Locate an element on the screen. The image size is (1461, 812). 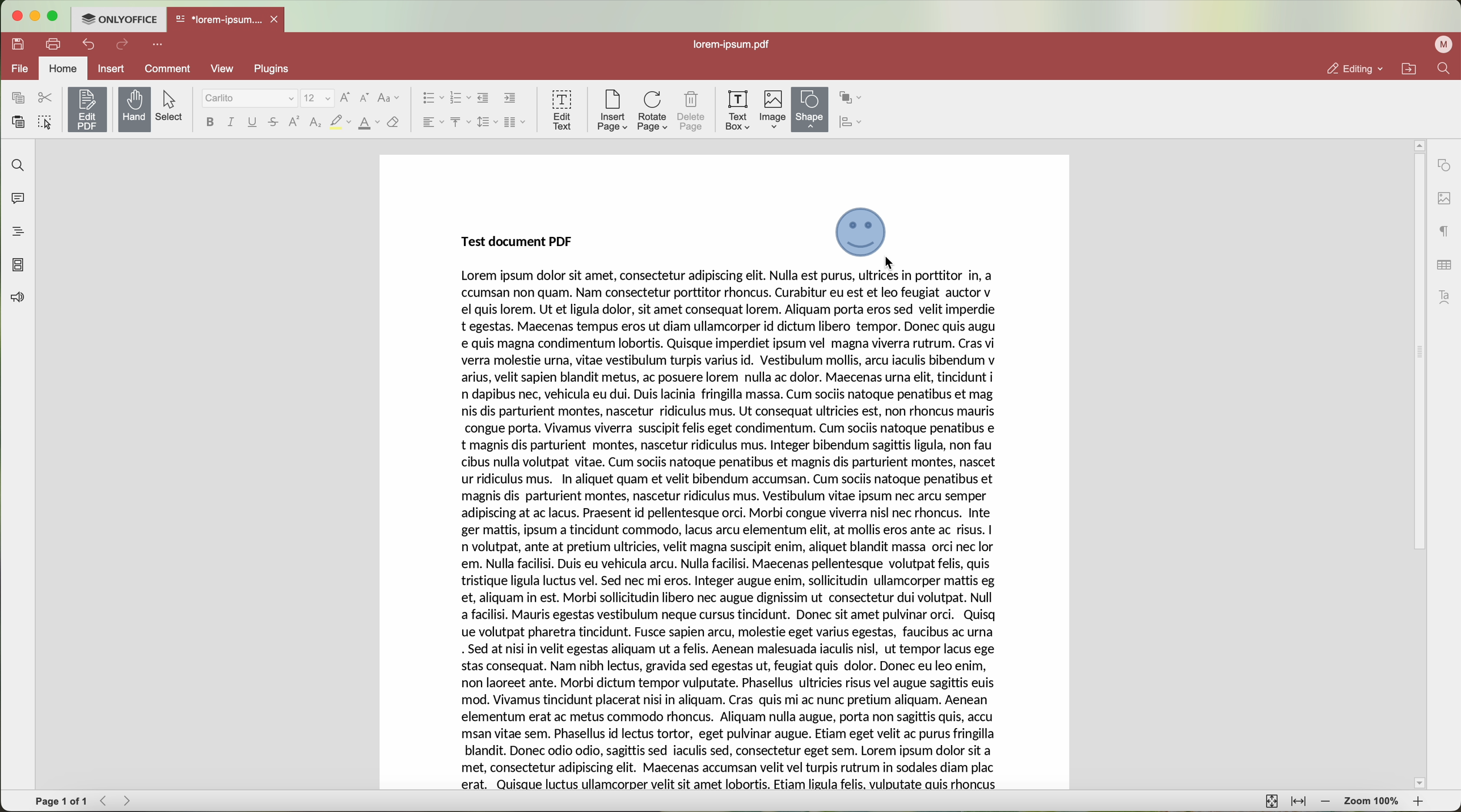
Text Art settings is located at coordinates (1446, 295).